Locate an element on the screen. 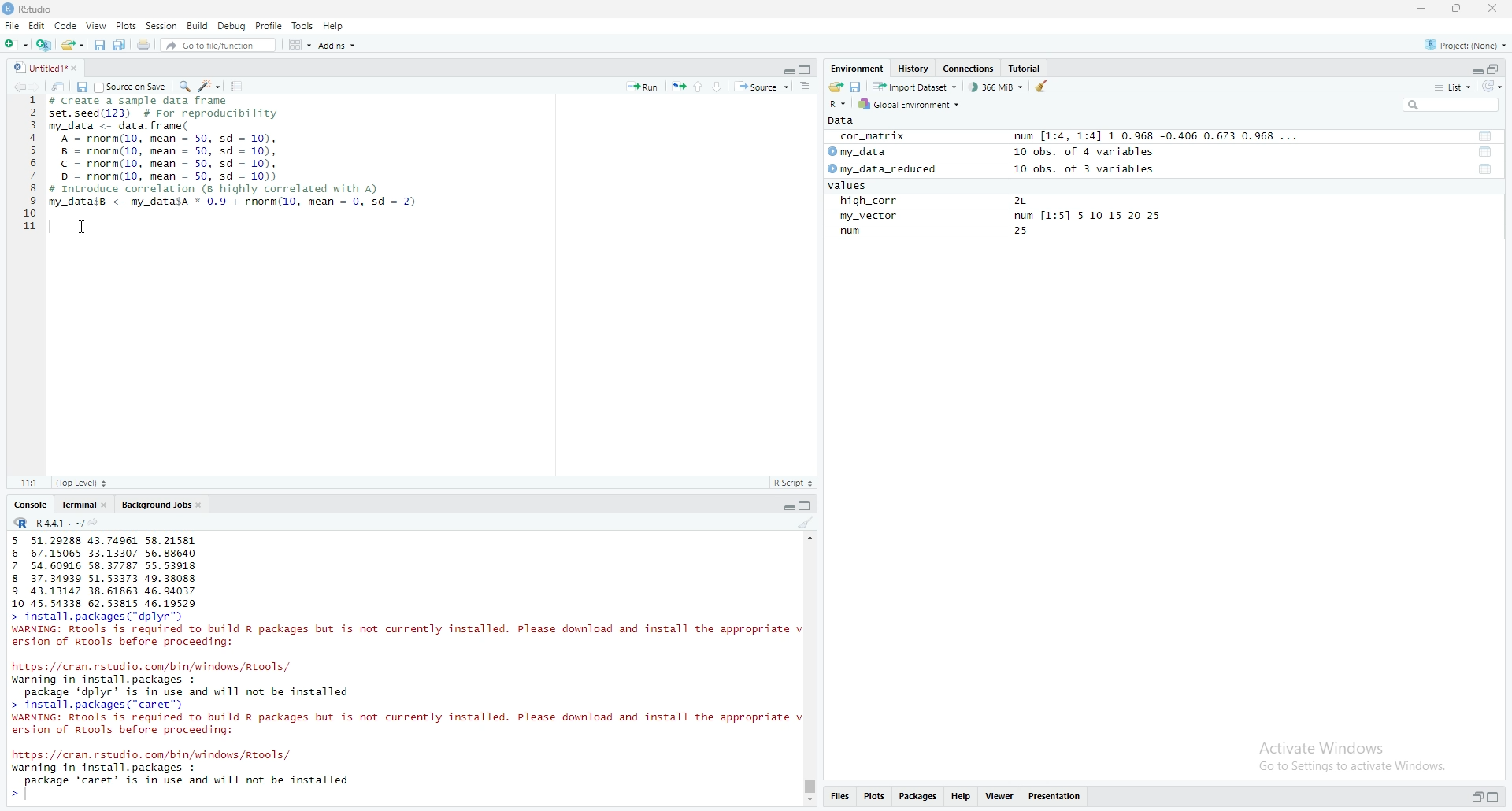  copy is located at coordinates (806, 70).